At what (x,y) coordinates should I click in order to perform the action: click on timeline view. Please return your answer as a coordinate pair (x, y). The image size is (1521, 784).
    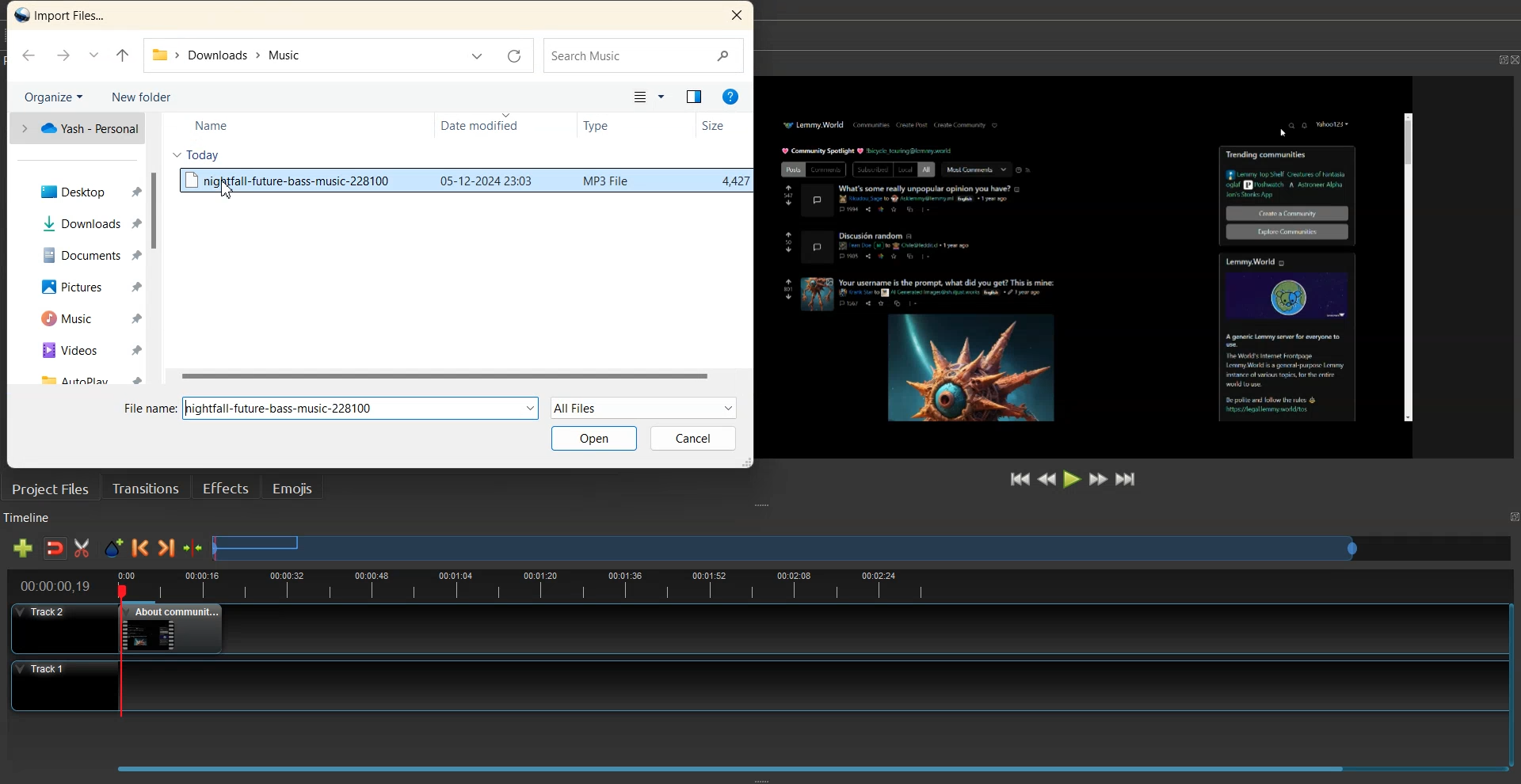
    Looking at the image, I should click on (821, 587).